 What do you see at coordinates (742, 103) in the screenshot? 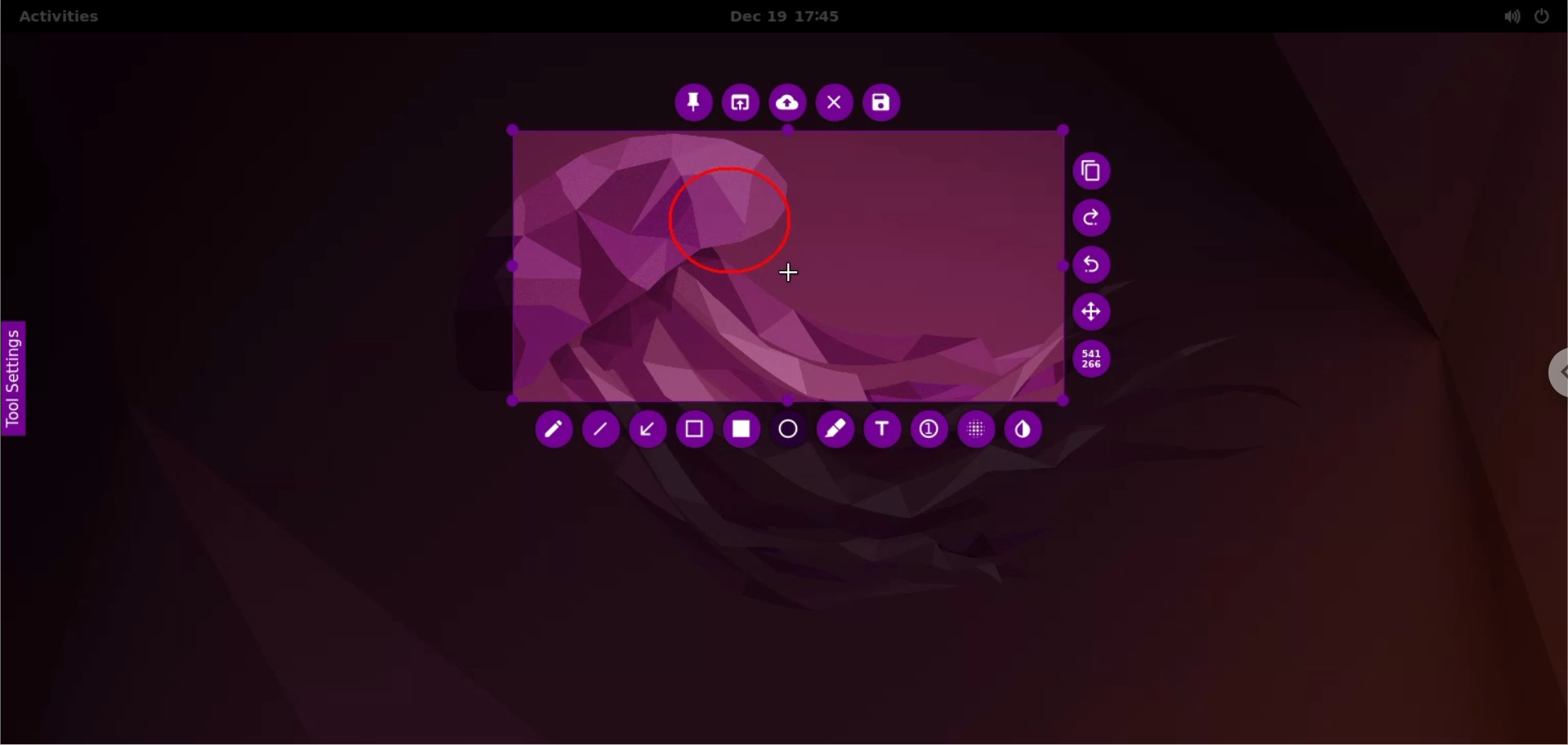
I see `choose app to open screenshot` at bounding box center [742, 103].